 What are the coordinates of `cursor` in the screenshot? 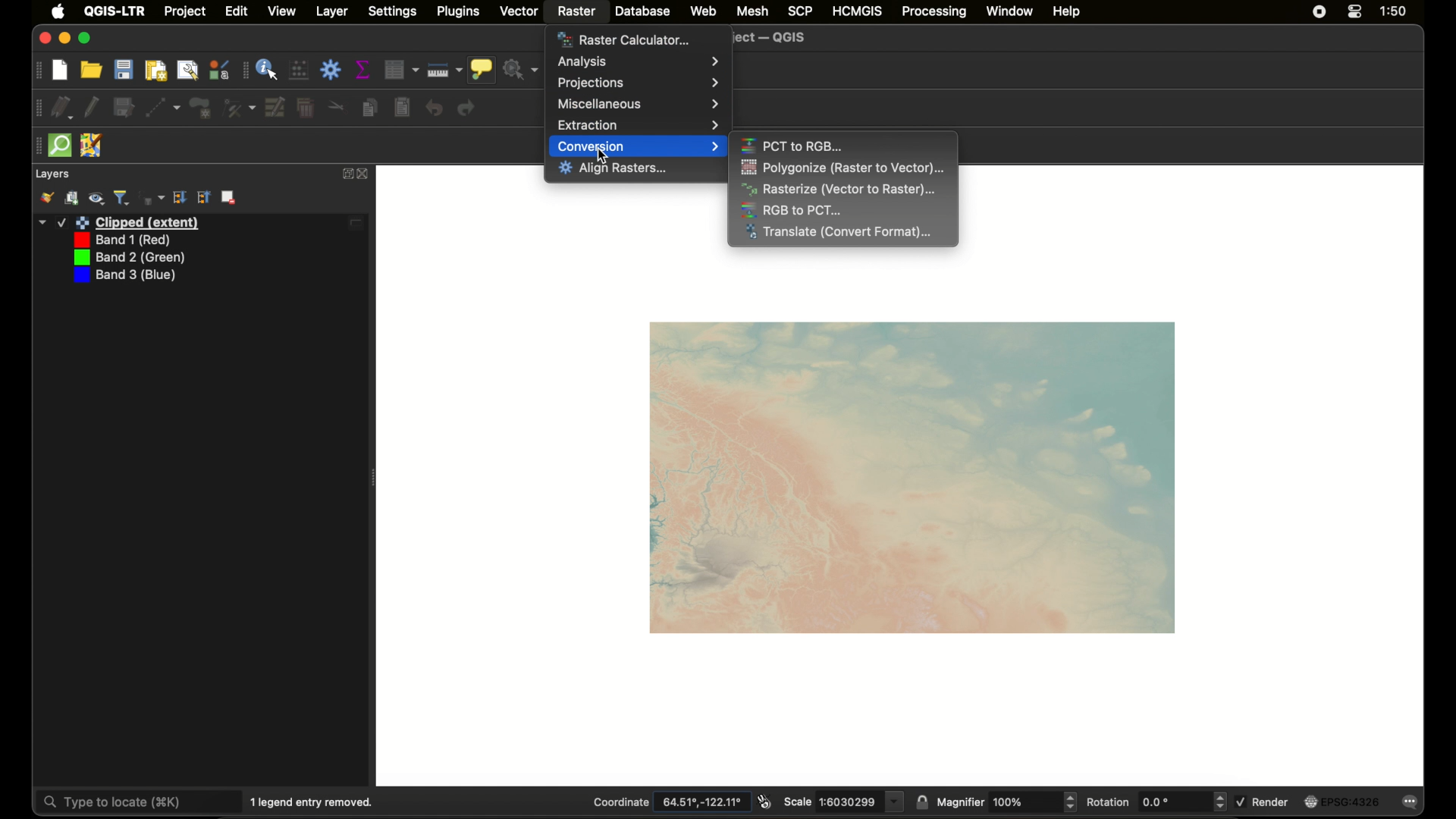 It's located at (604, 155).